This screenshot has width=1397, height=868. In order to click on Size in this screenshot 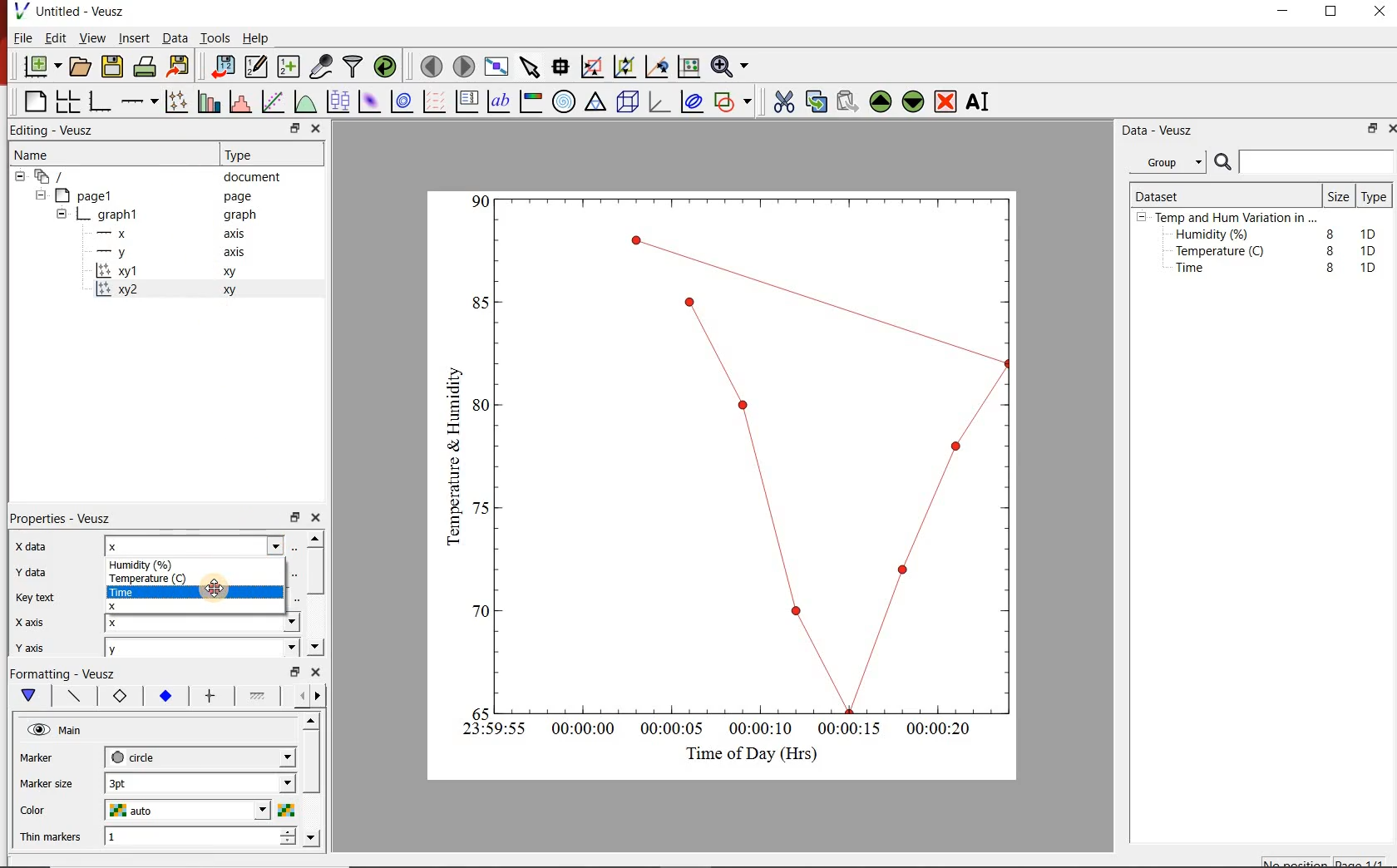, I will do `click(1337, 195)`.